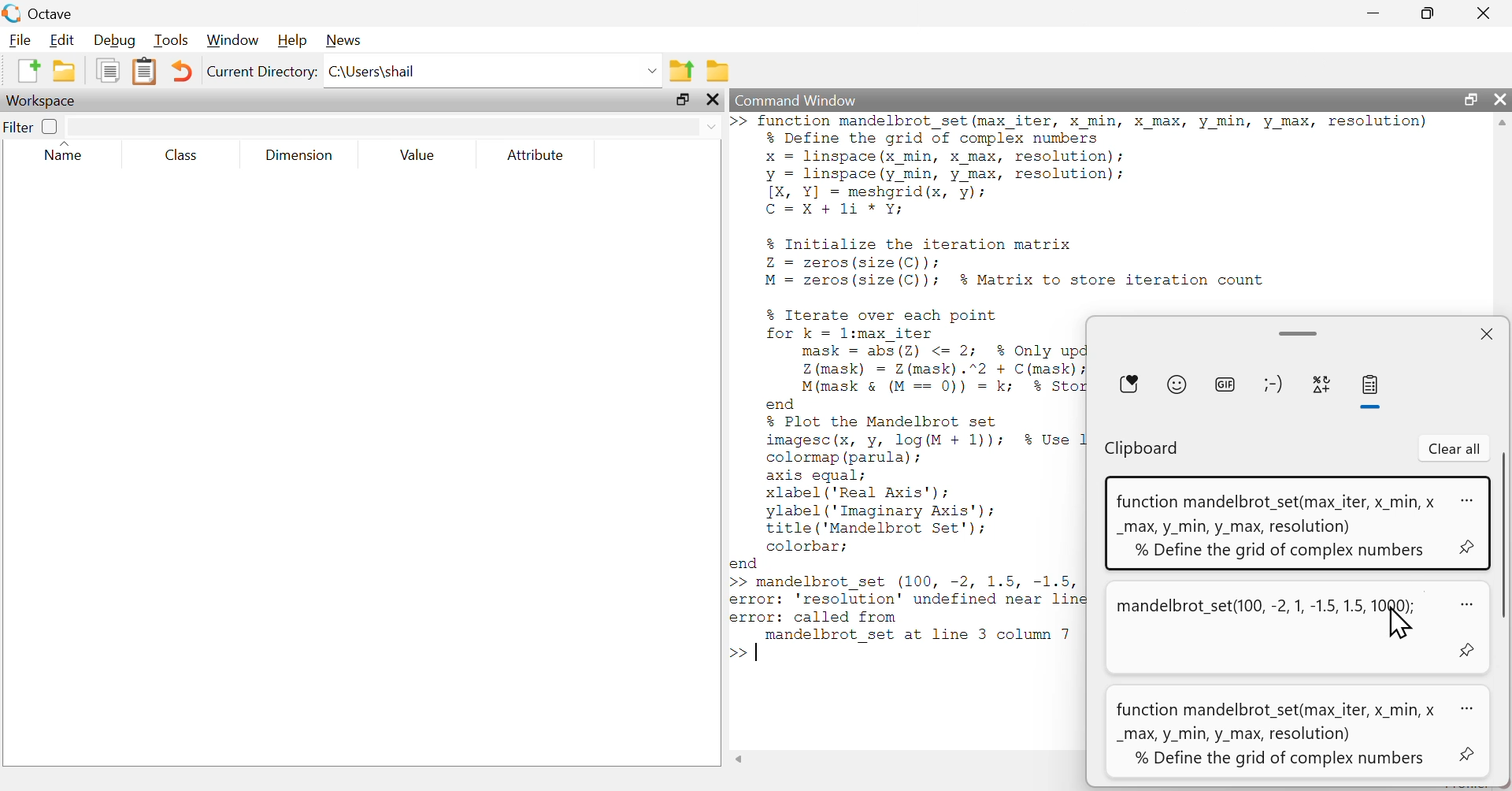 The image size is (1512, 791). What do you see at coordinates (1280, 734) in the screenshot?
I see `function mandelbrot_set(max_iter, x_min, x
_max, y_min, y_max, resolution)
% Define the grid of complex numbers` at bounding box center [1280, 734].